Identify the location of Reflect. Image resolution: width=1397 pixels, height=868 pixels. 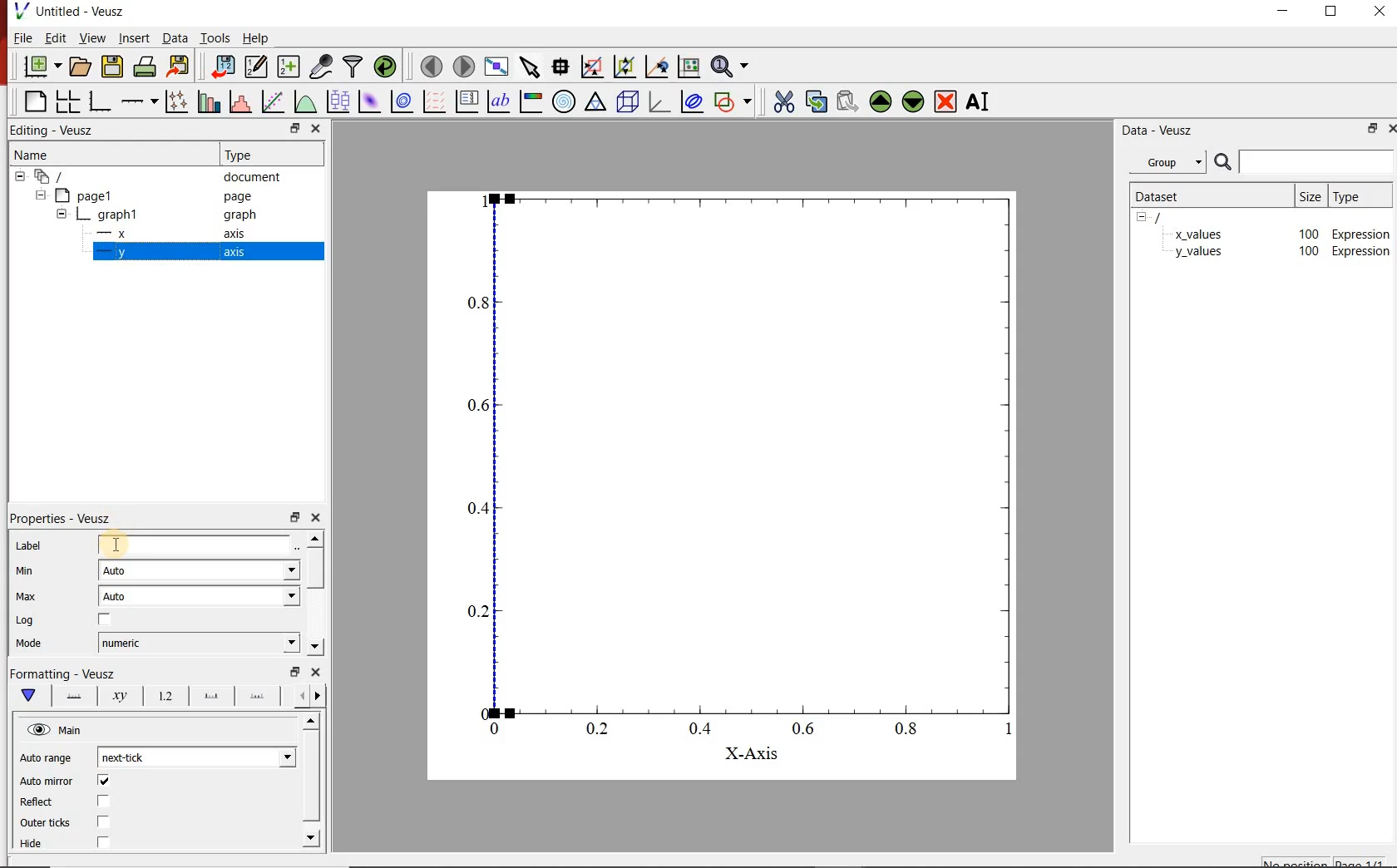
(46, 803).